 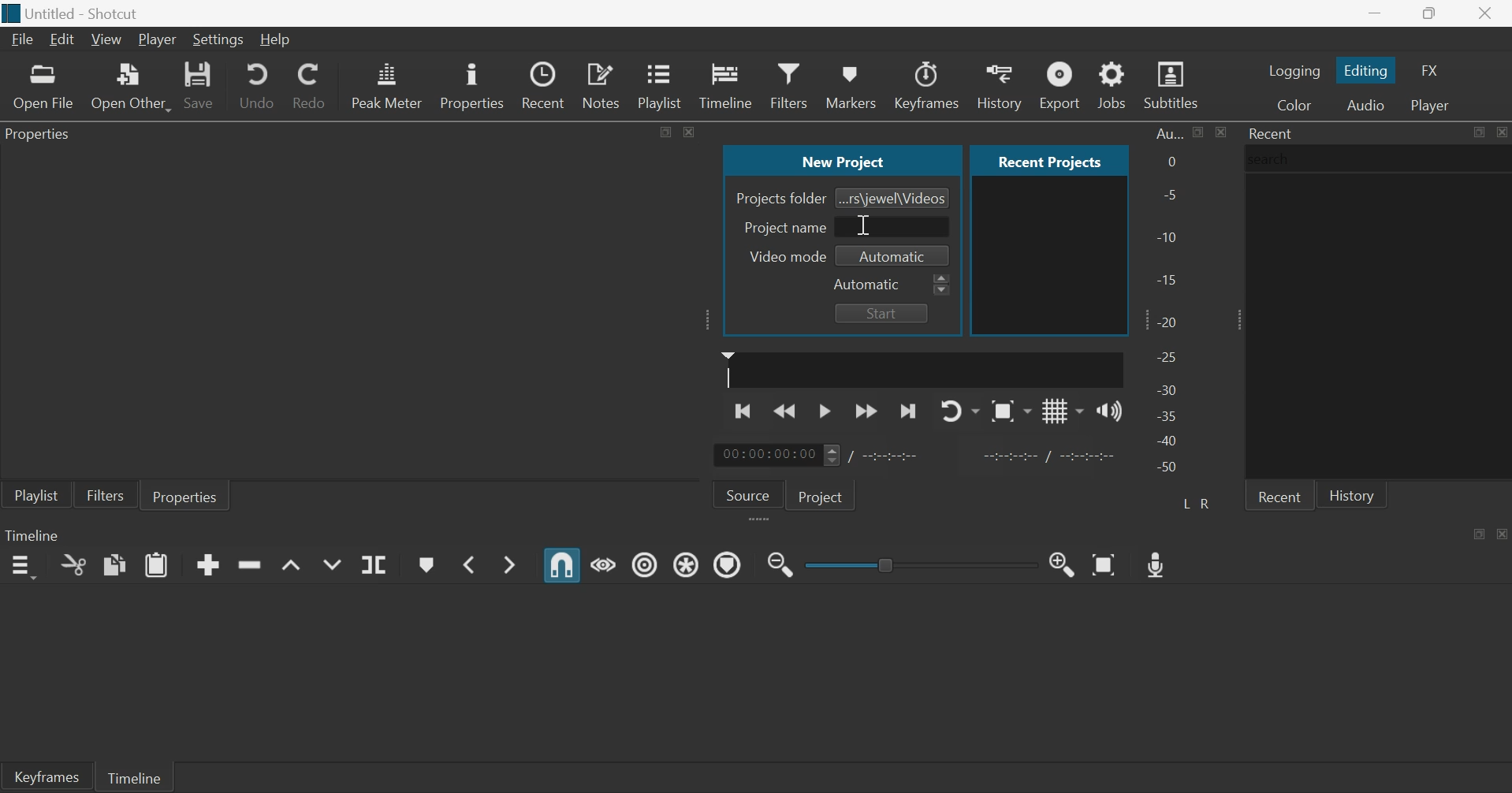 I want to click on Recent projects, so click(x=1049, y=160).